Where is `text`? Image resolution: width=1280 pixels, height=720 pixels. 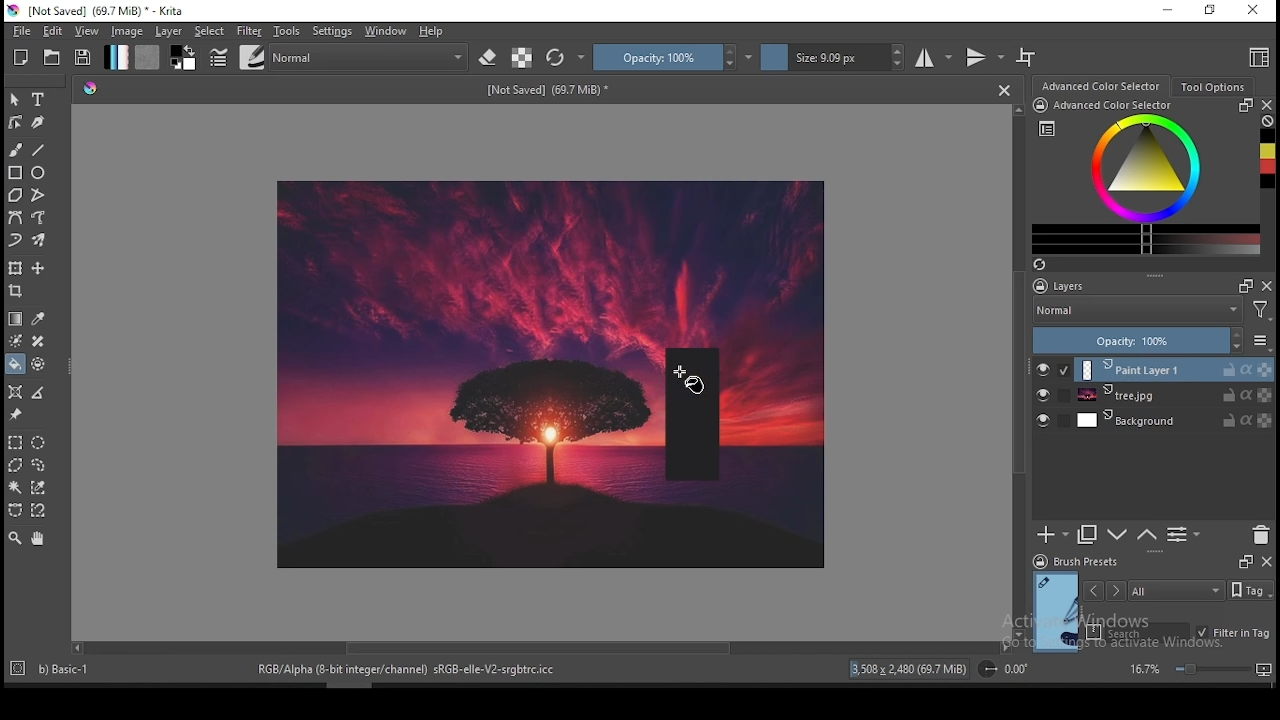
text is located at coordinates (548, 87).